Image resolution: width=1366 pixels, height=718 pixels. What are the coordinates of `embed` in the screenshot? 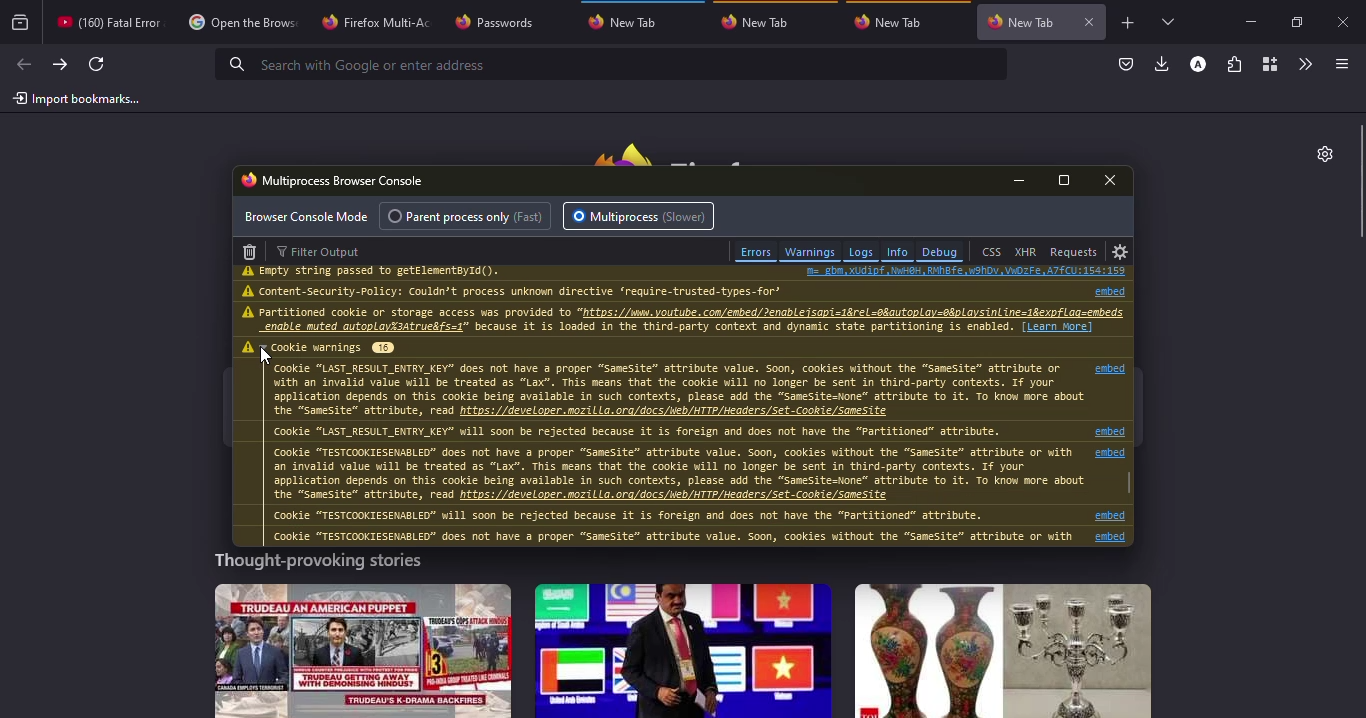 It's located at (1110, 432).